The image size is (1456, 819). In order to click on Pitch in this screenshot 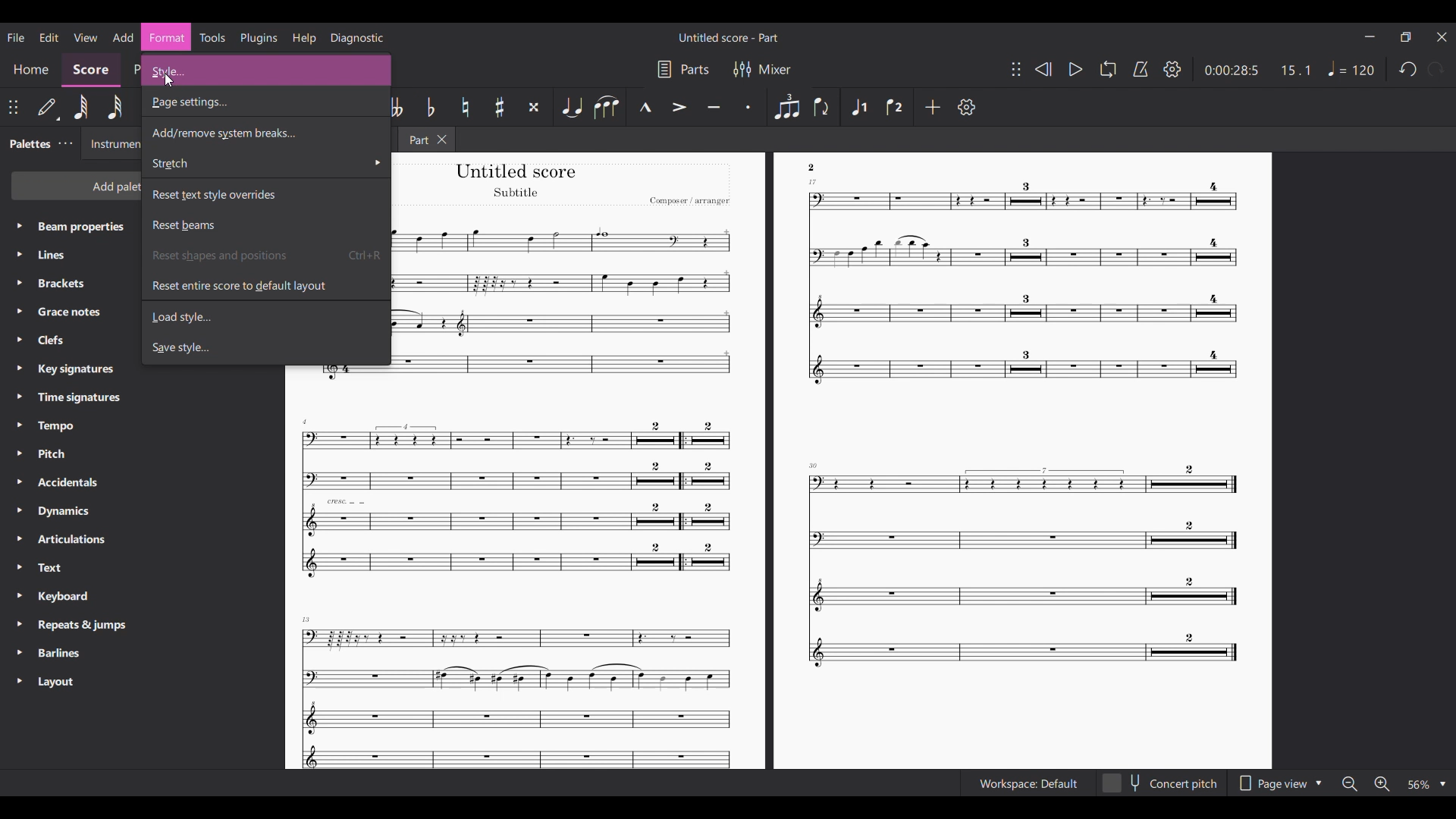, I will do `click(70, 454)`.